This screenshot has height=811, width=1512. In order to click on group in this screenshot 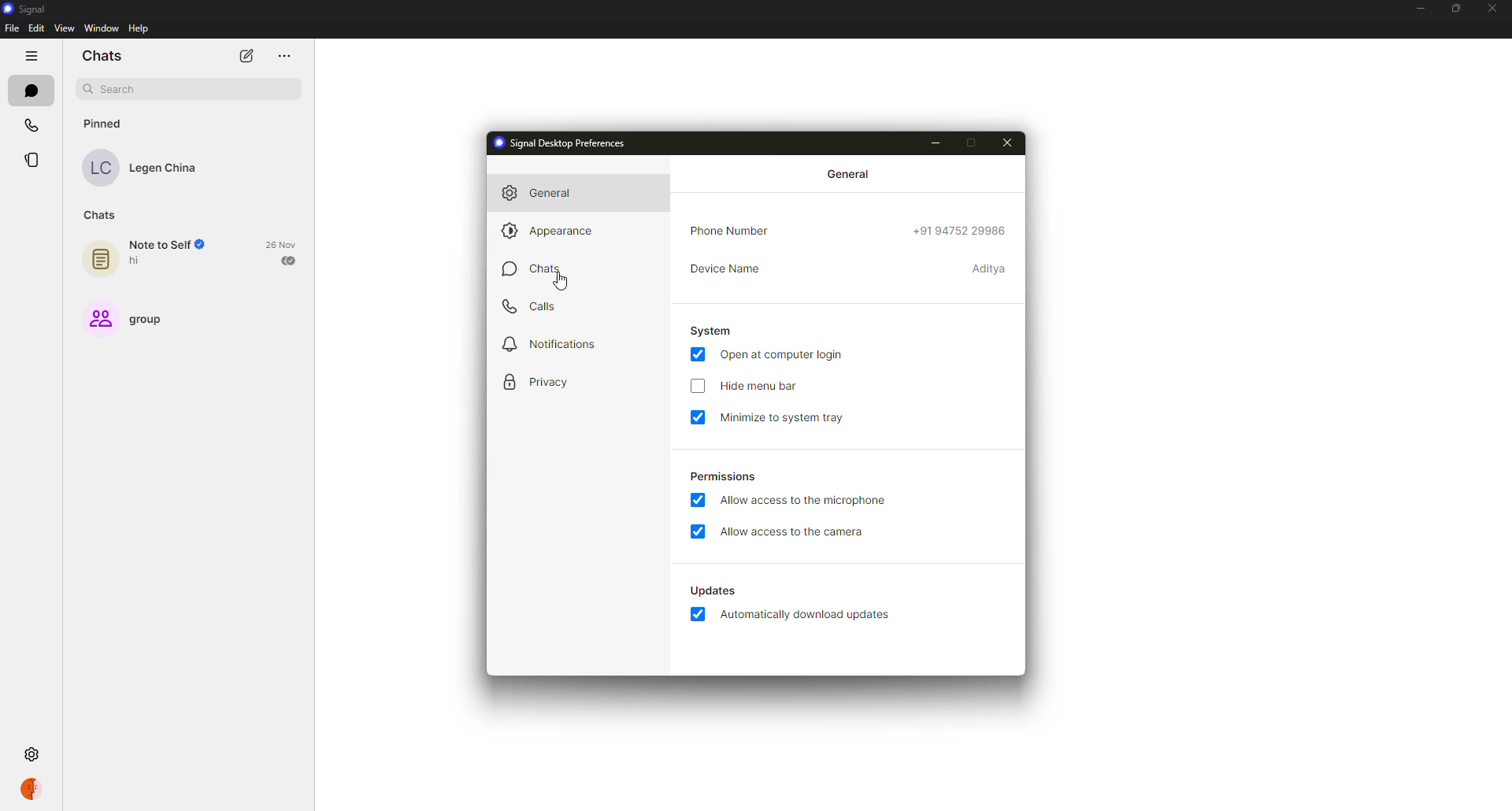, I will do `click(132, 317)`.